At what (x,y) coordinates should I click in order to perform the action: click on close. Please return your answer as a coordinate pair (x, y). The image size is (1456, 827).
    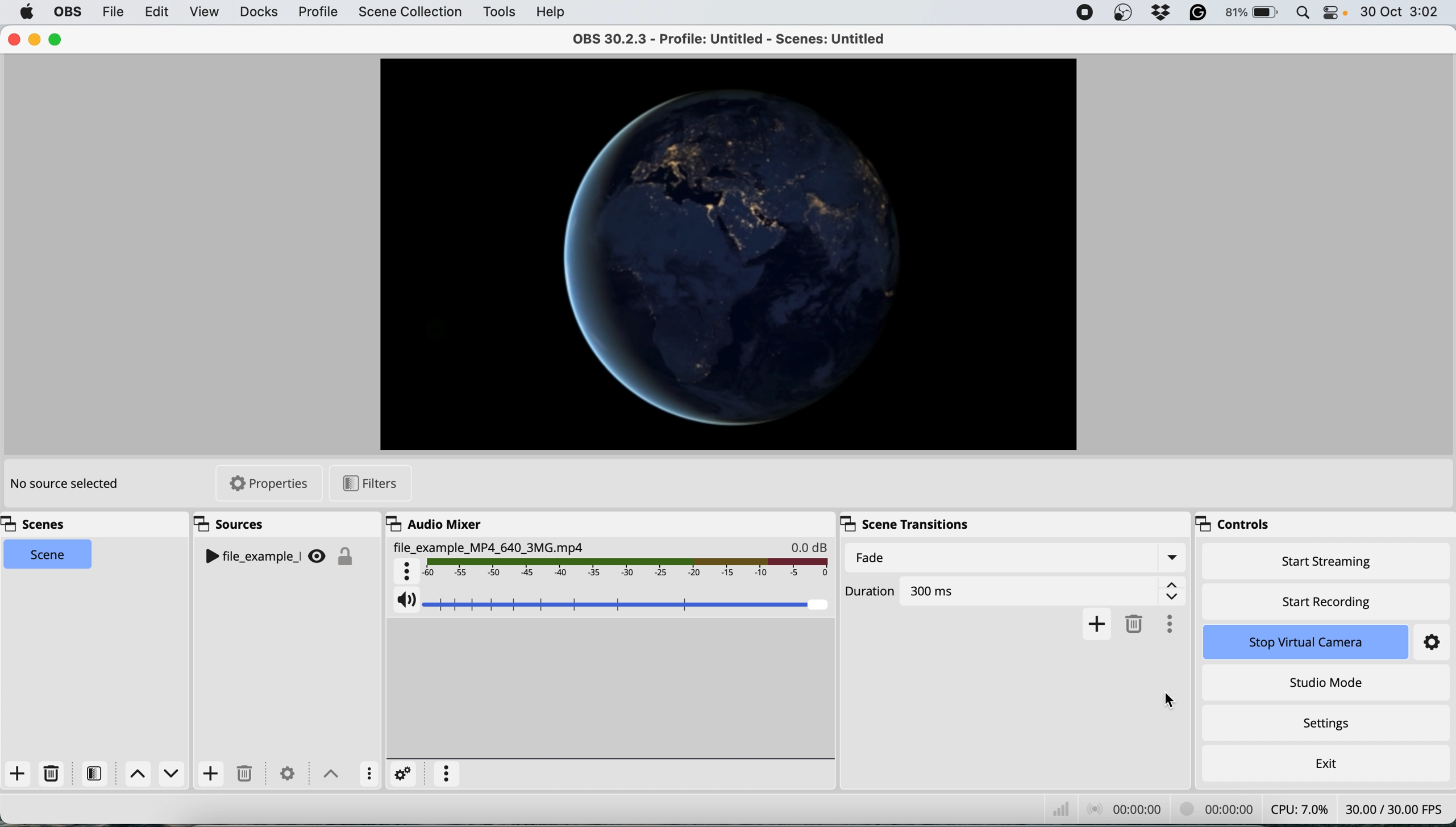
    Looking at the image, I should click on (14, 36).